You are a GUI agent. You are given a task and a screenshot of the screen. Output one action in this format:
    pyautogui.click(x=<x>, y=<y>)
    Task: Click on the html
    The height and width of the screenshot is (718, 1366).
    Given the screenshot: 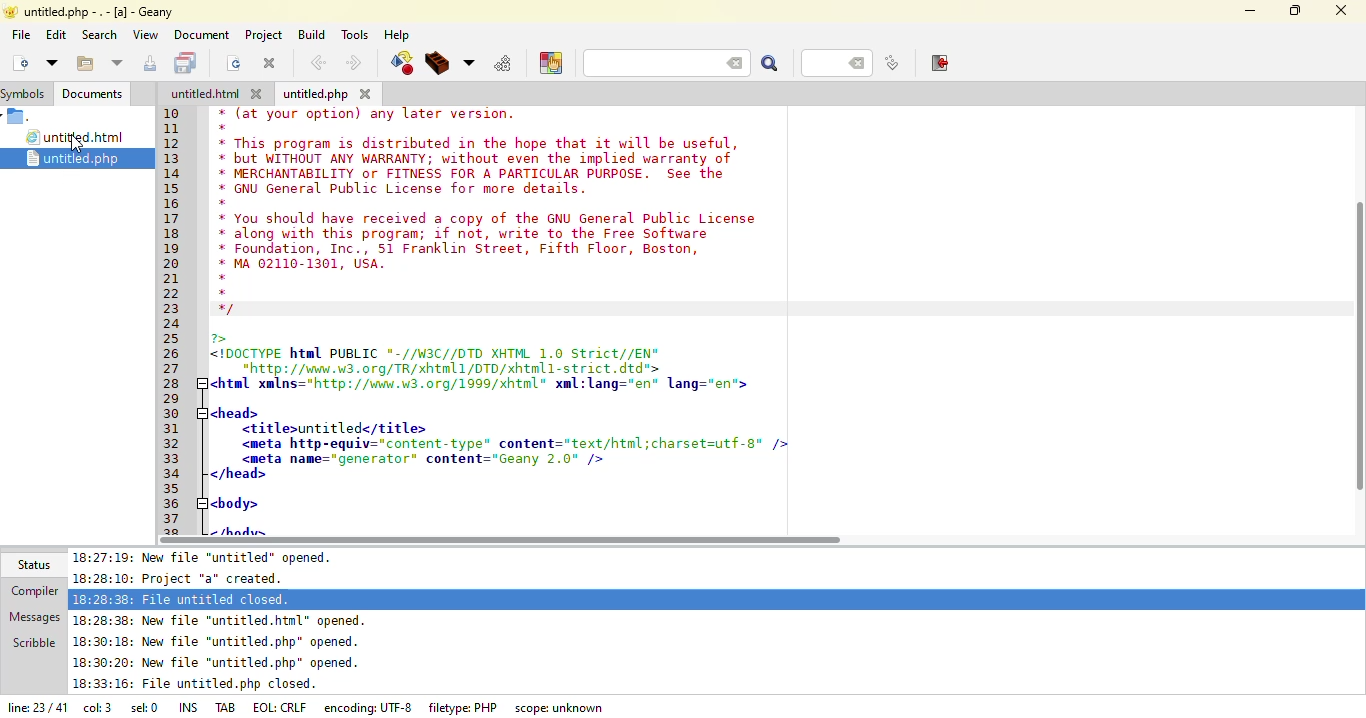 What is the action you would take?
    pyautogui.click(x=204, y=94)
    